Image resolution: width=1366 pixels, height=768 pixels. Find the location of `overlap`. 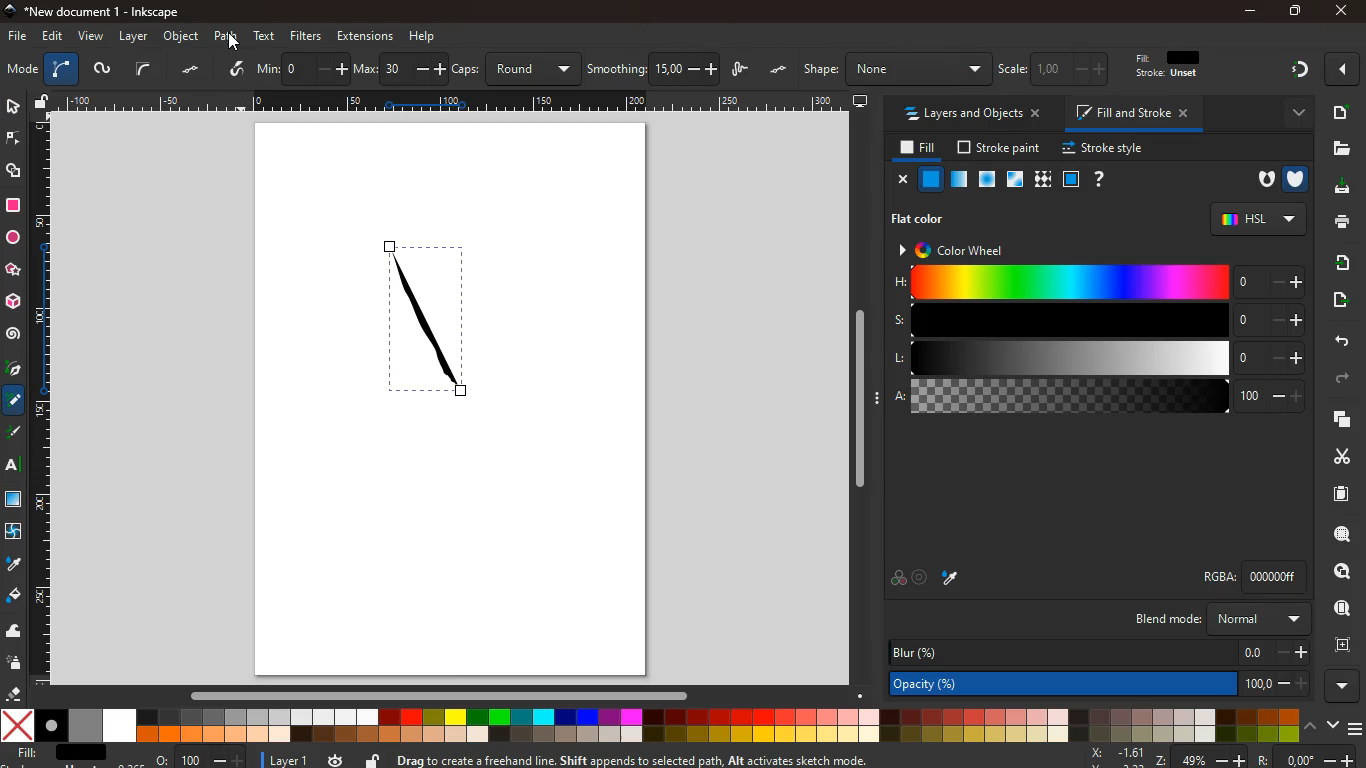

overlap is located at coordinates (898, 579).